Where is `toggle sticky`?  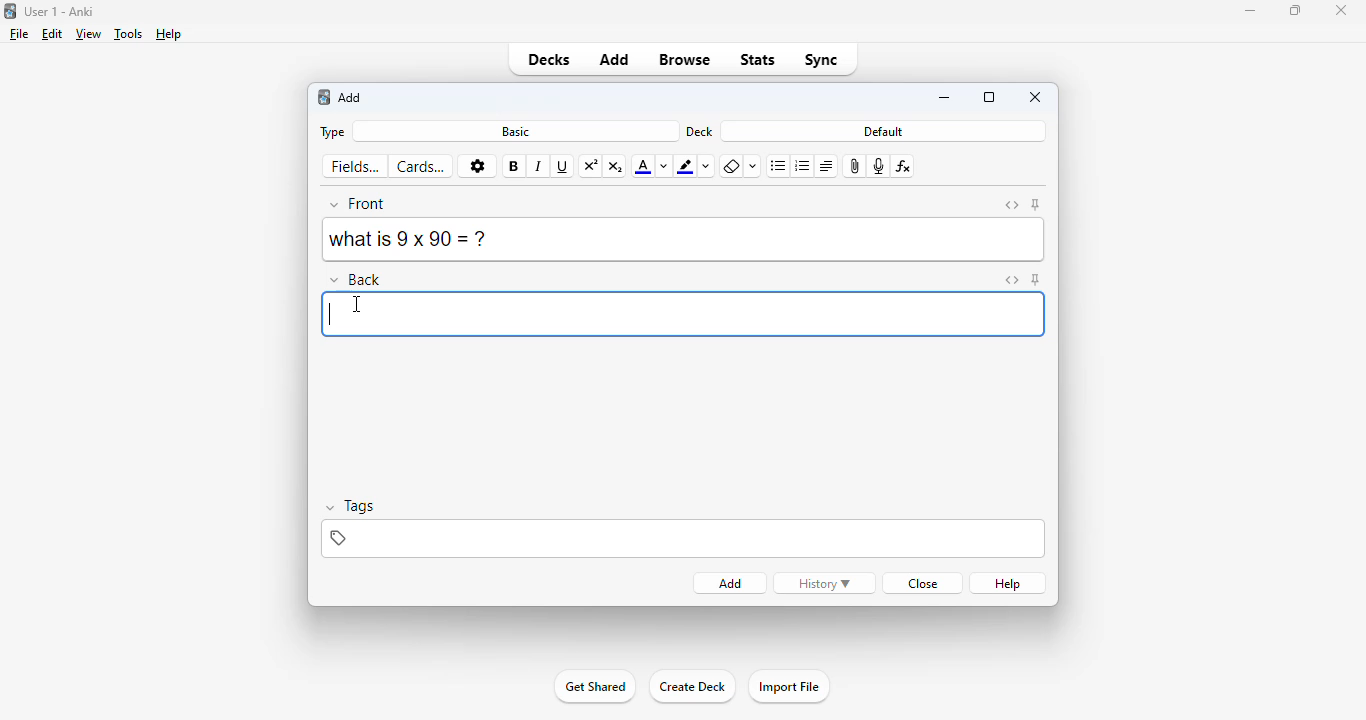 toggle sticky is located at coordinates (1036, 205).